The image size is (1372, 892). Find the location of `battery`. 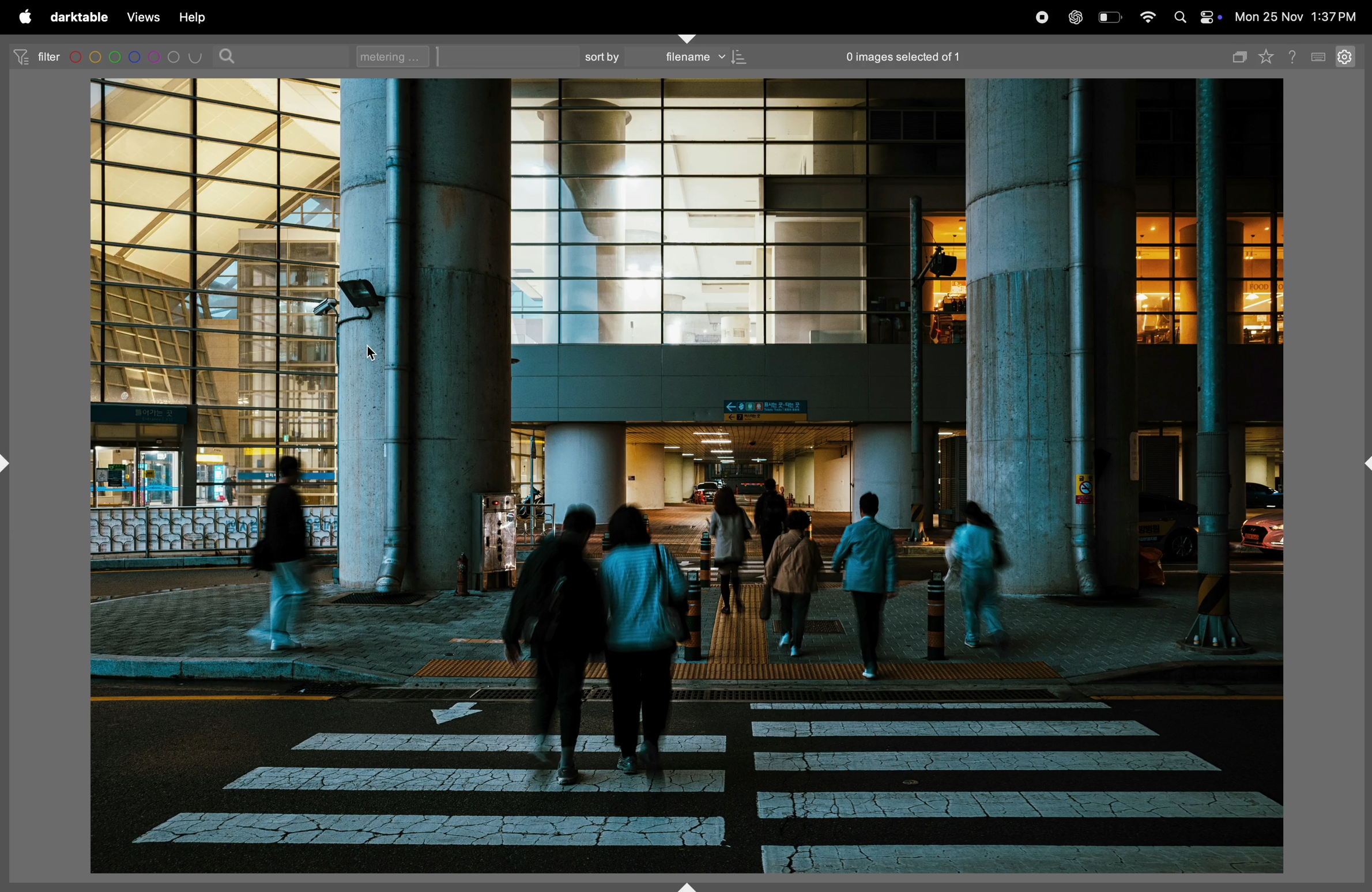

battery is located at coordinates (1111, 16).